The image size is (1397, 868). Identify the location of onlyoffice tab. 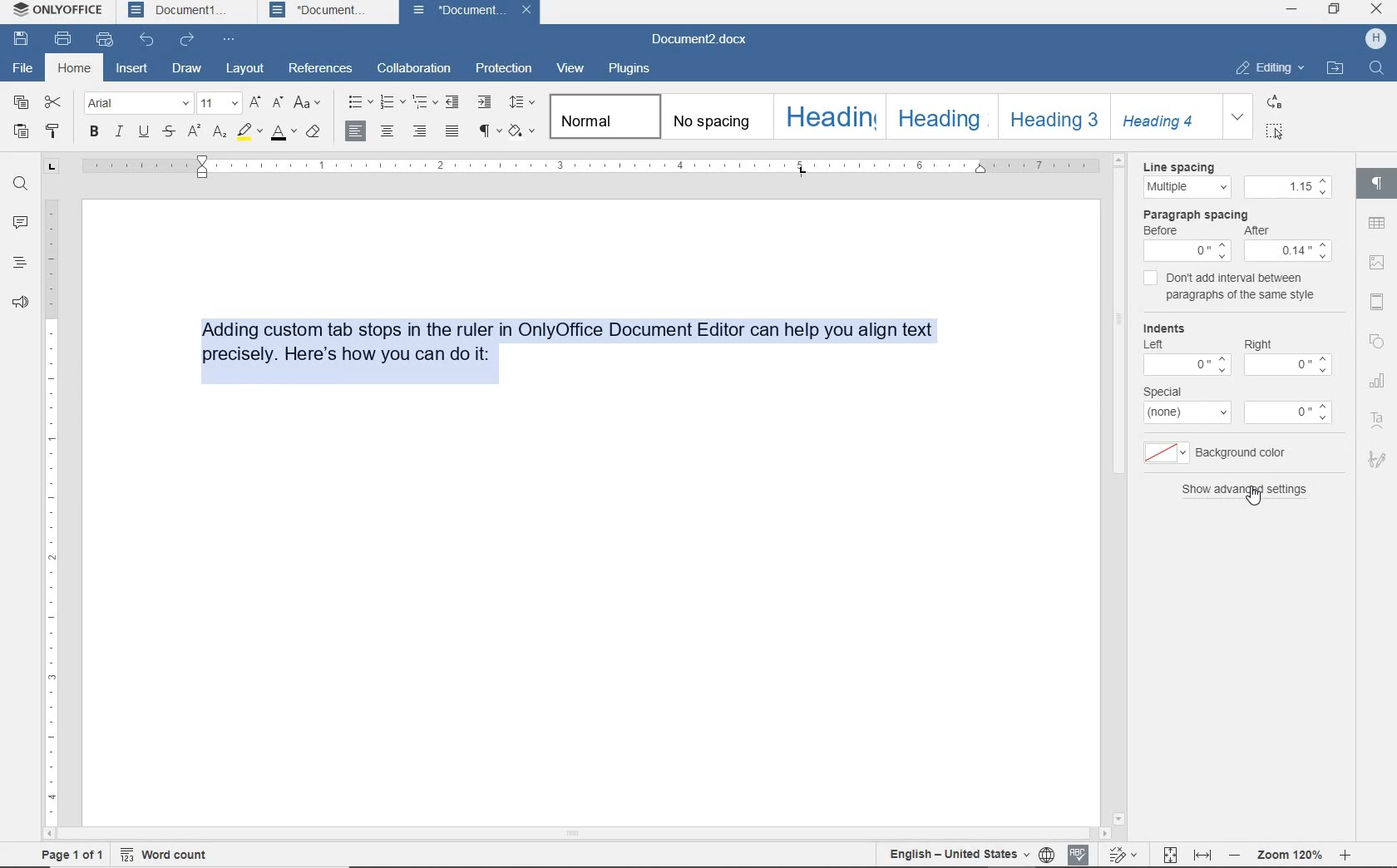
(55, 12).